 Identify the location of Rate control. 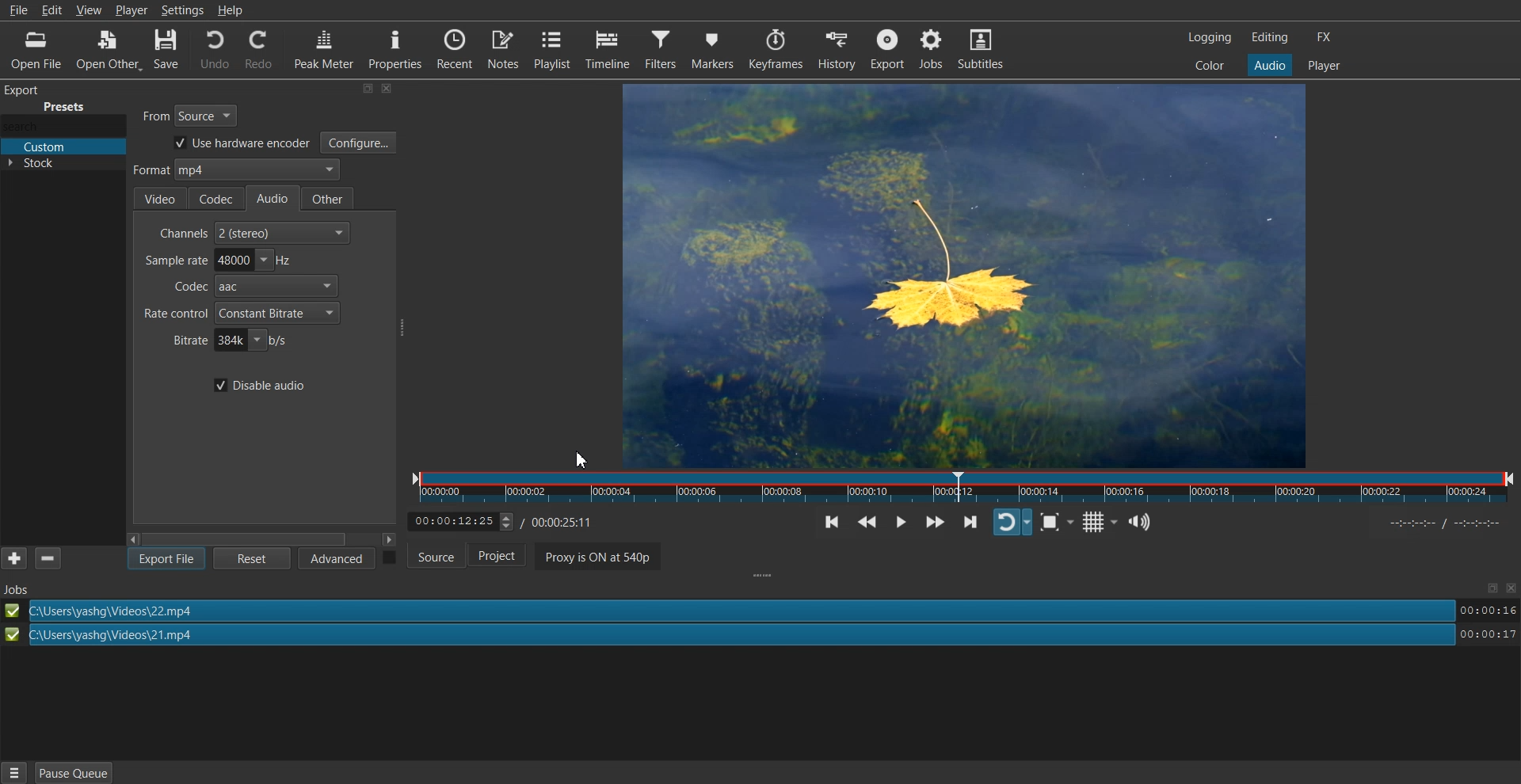
(240, 313).